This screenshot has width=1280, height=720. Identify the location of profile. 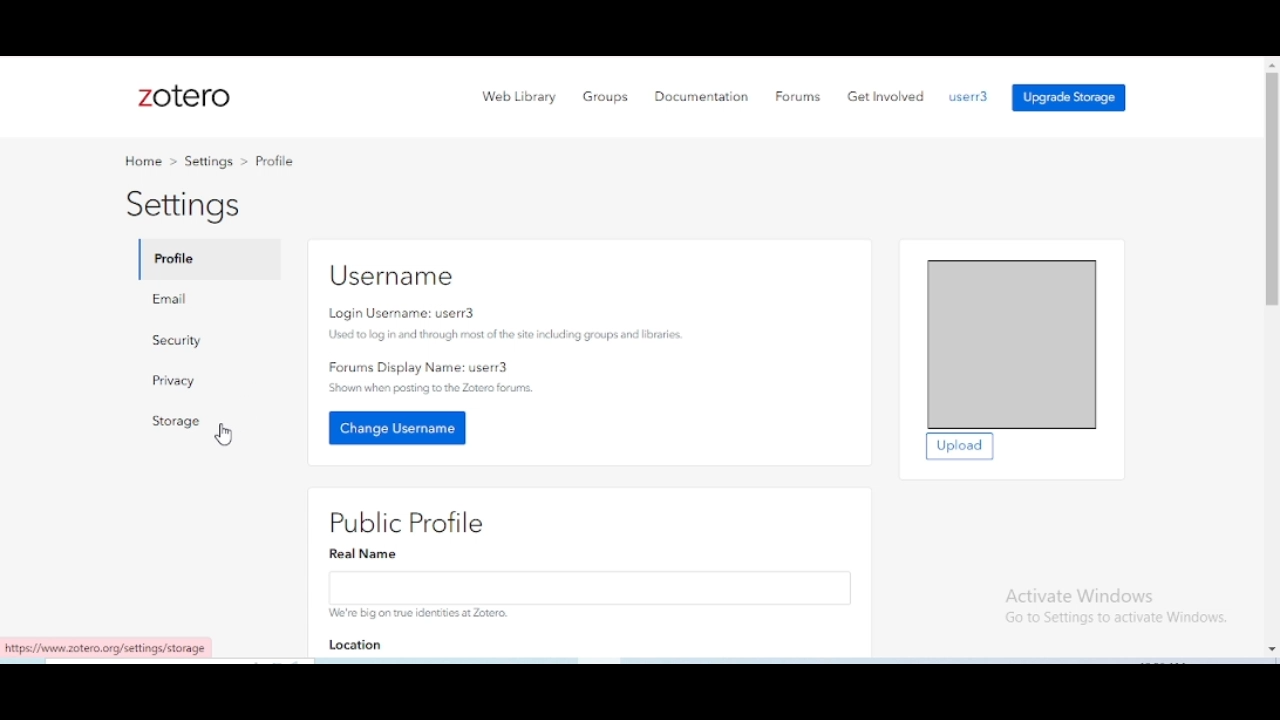
(206, 259).